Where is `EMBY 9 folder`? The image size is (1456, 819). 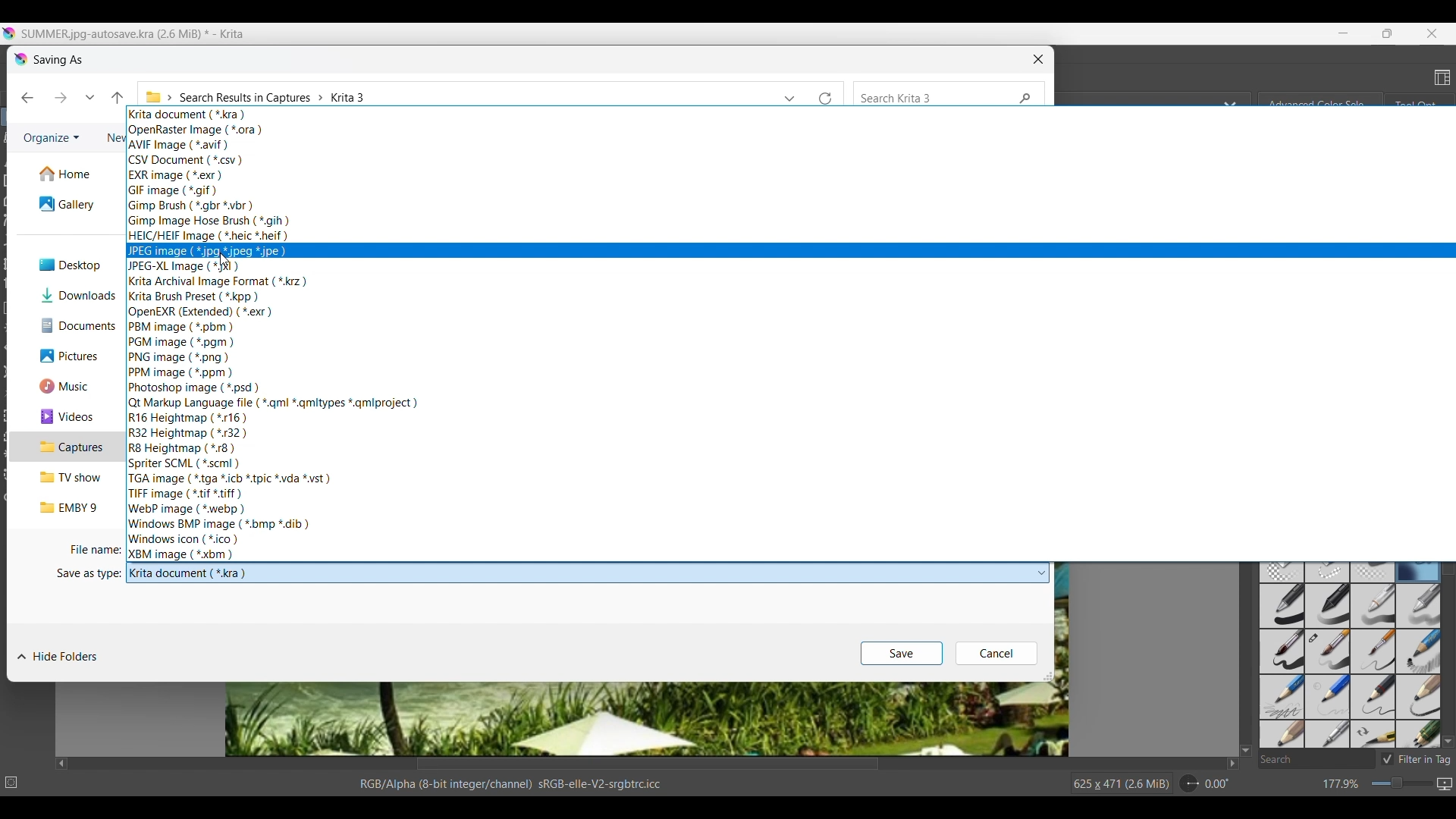 EMBY 9 folder is located at coordinates (63, 507).